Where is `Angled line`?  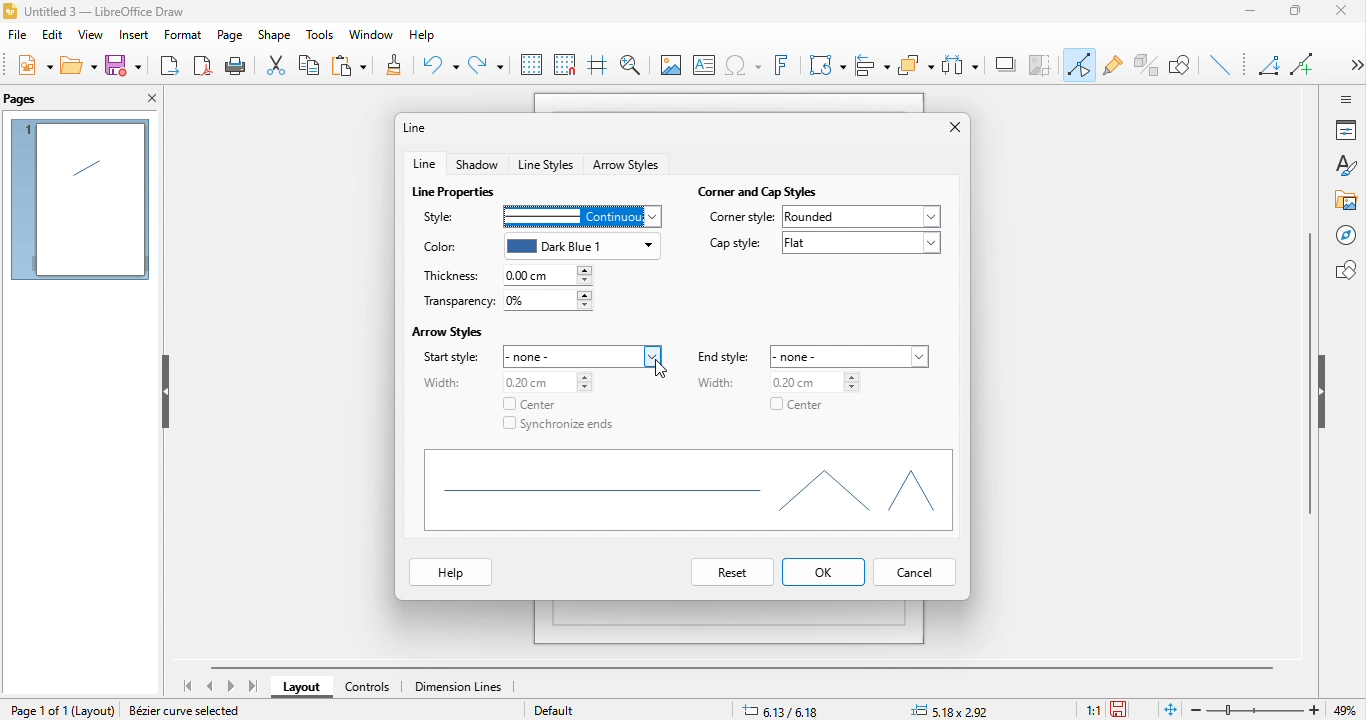 Angled line is located at coordinates (1272, 68).